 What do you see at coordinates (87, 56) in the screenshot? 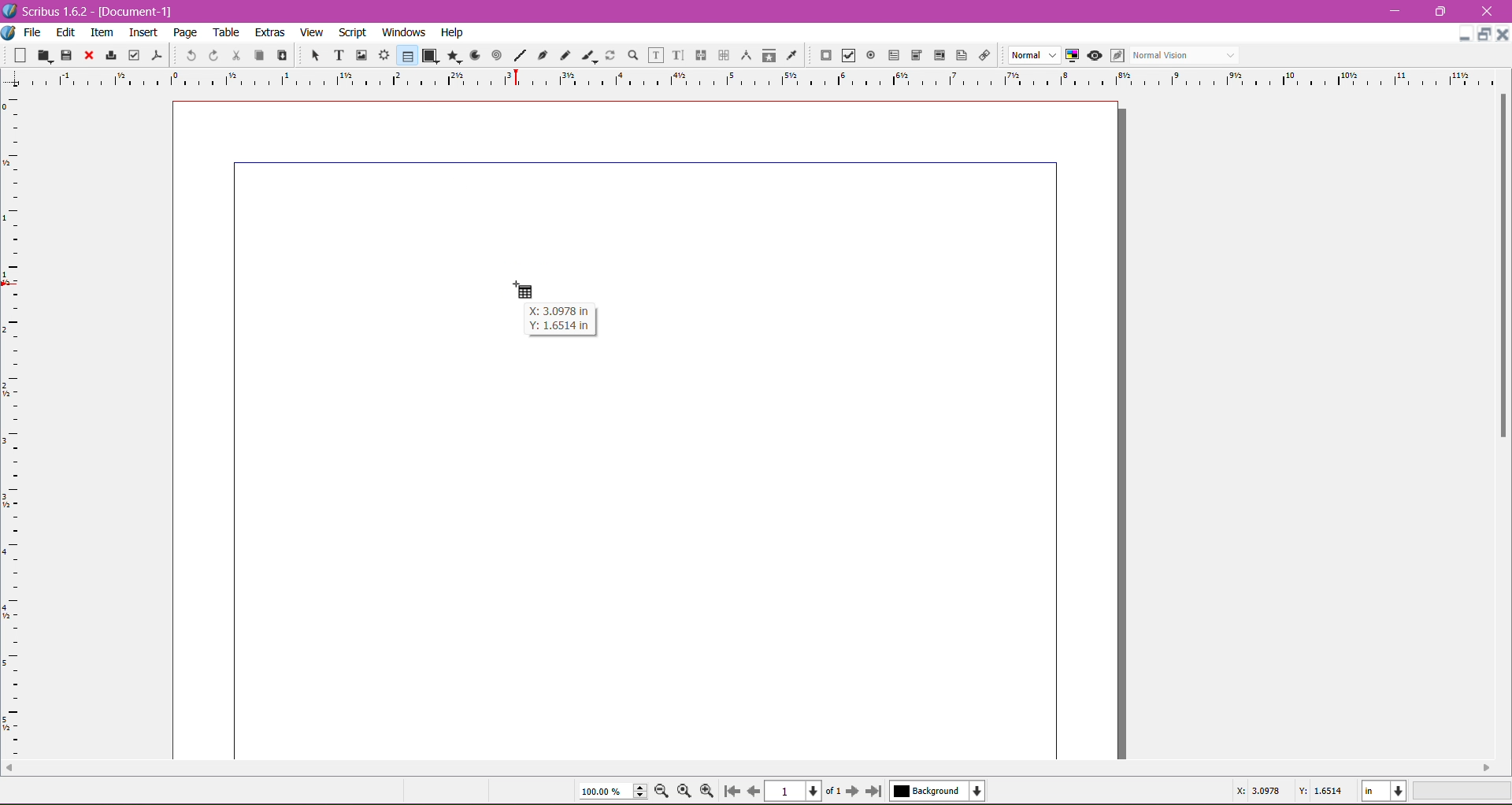
I see `Close` at bounding box center [87, 56].